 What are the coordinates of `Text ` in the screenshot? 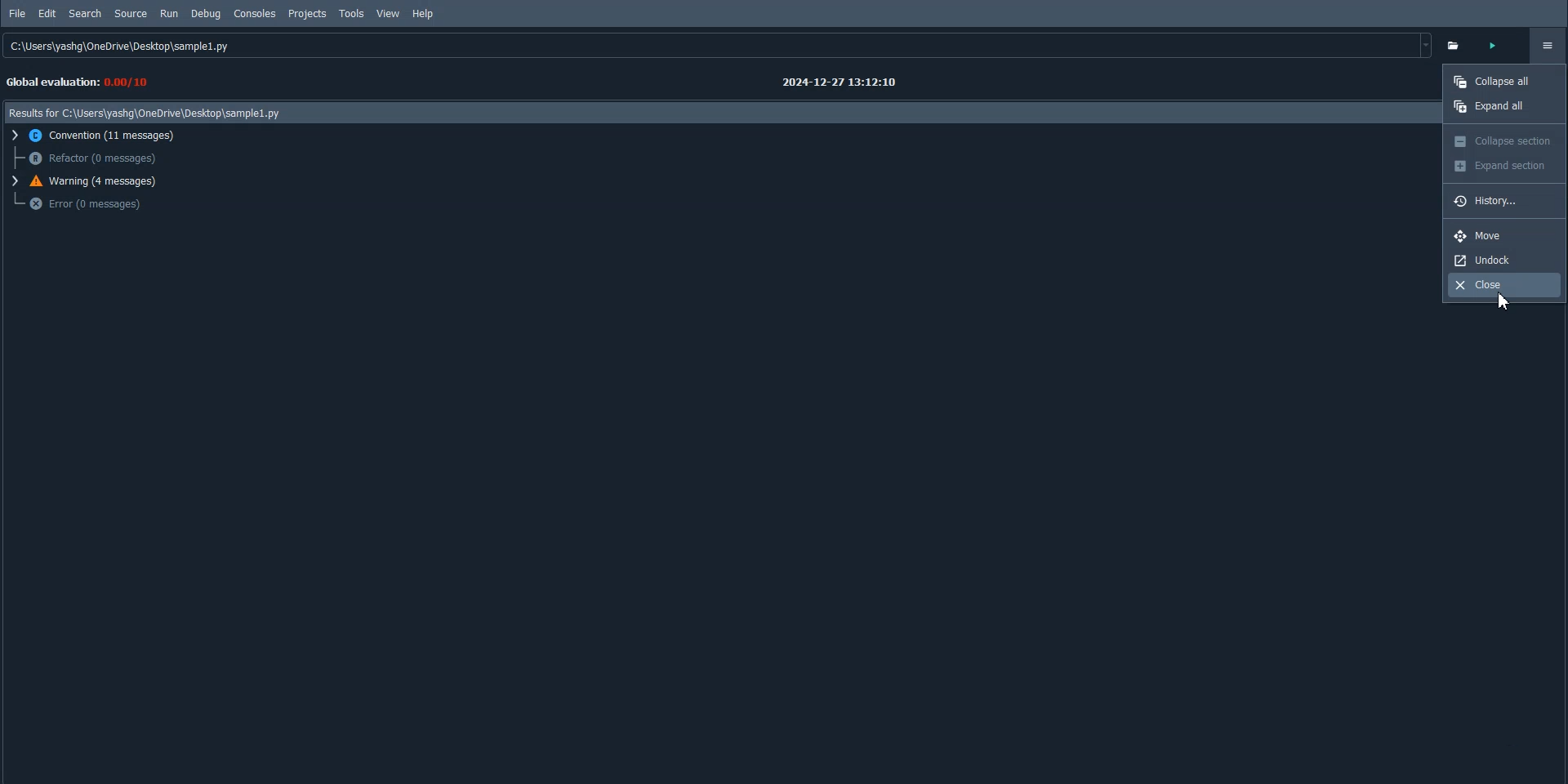 It's located at (841, 83).